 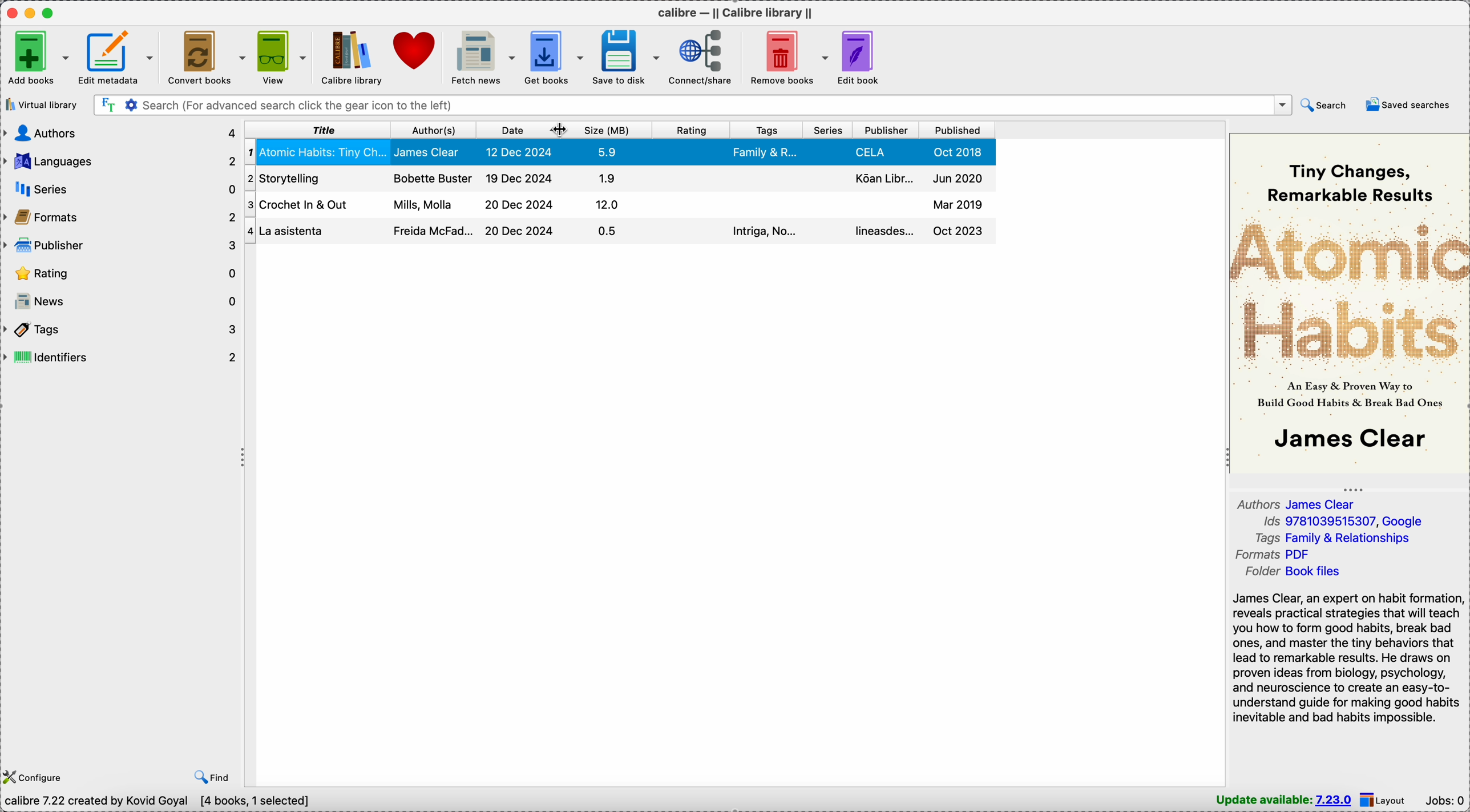 I want to click on configure, so click(x=35, y=775).